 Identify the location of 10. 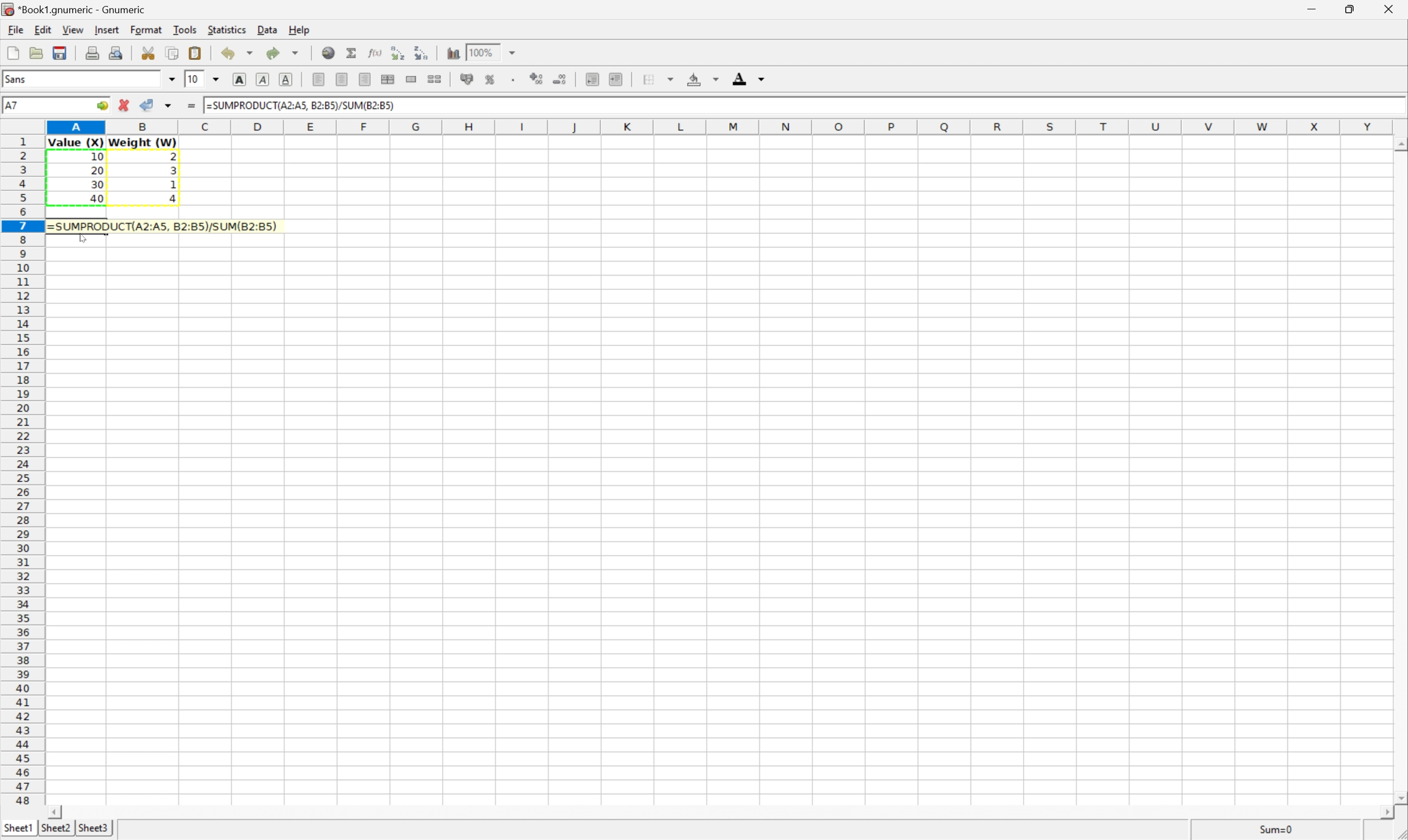
(193, 79).